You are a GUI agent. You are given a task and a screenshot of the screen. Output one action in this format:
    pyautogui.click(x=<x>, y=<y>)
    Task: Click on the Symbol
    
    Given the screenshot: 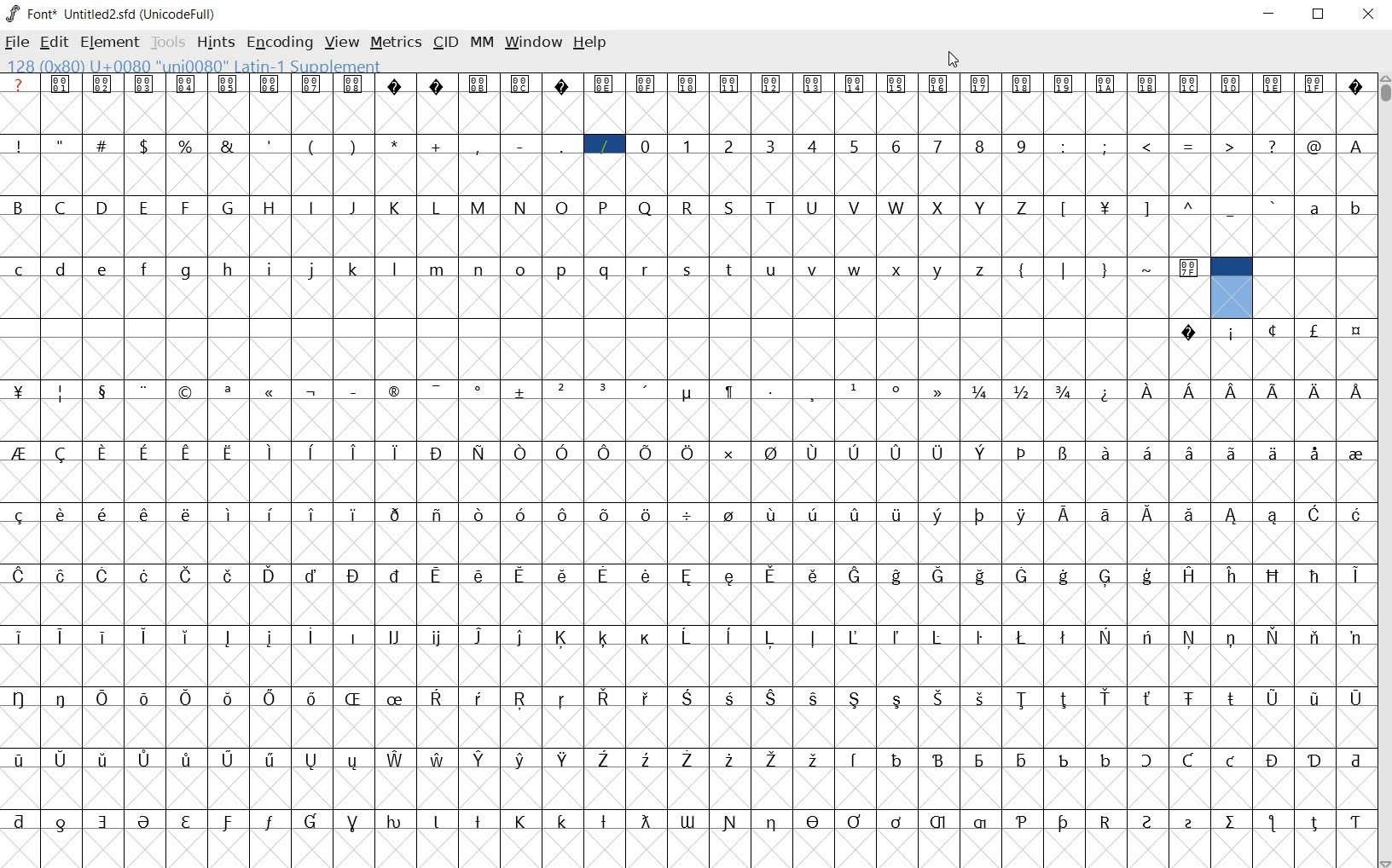 What is the action you would take?
    pyautogui.click(x=20, y=391)
    